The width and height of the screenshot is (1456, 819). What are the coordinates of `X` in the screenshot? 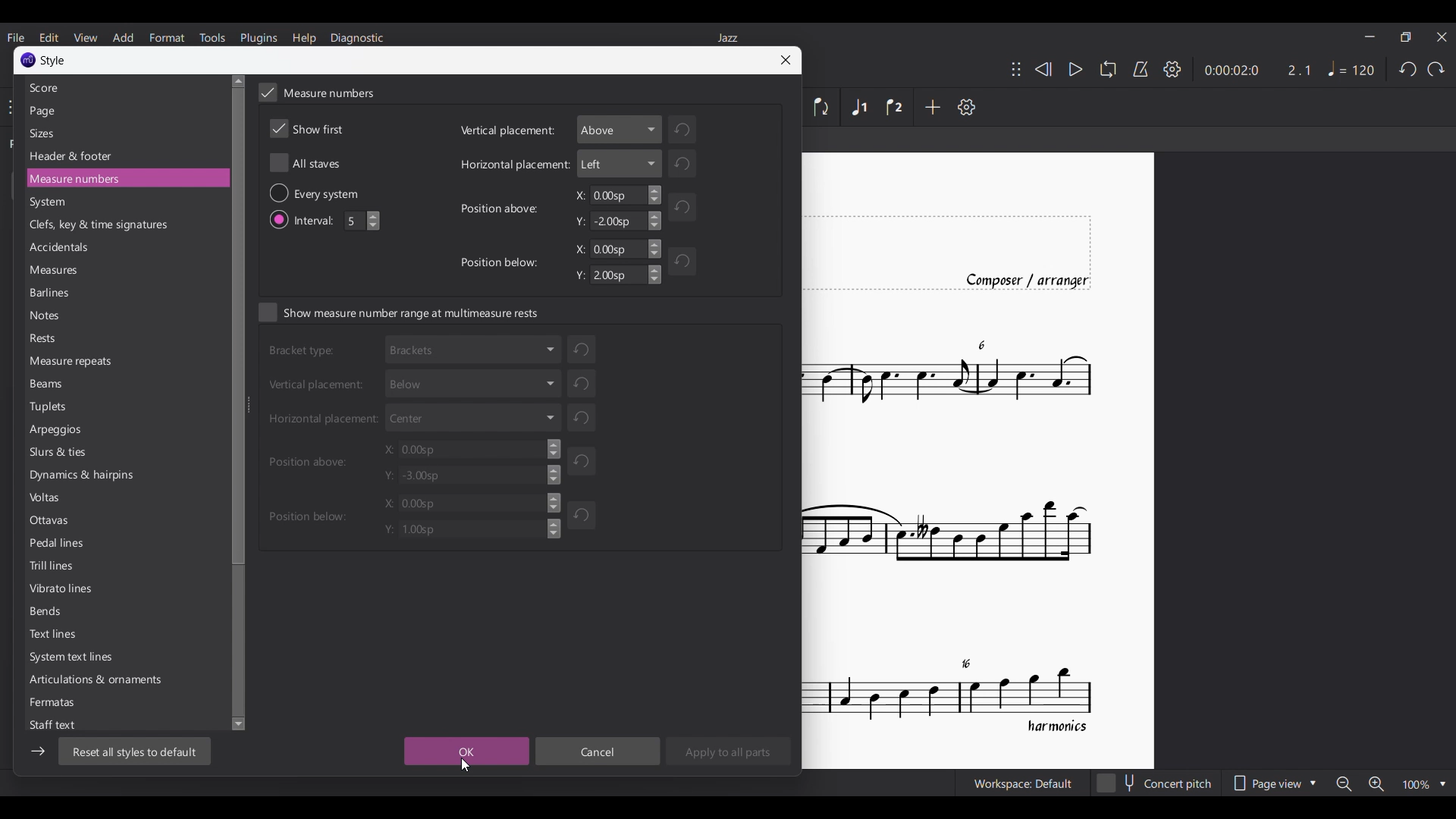 It's located at (616, 249).